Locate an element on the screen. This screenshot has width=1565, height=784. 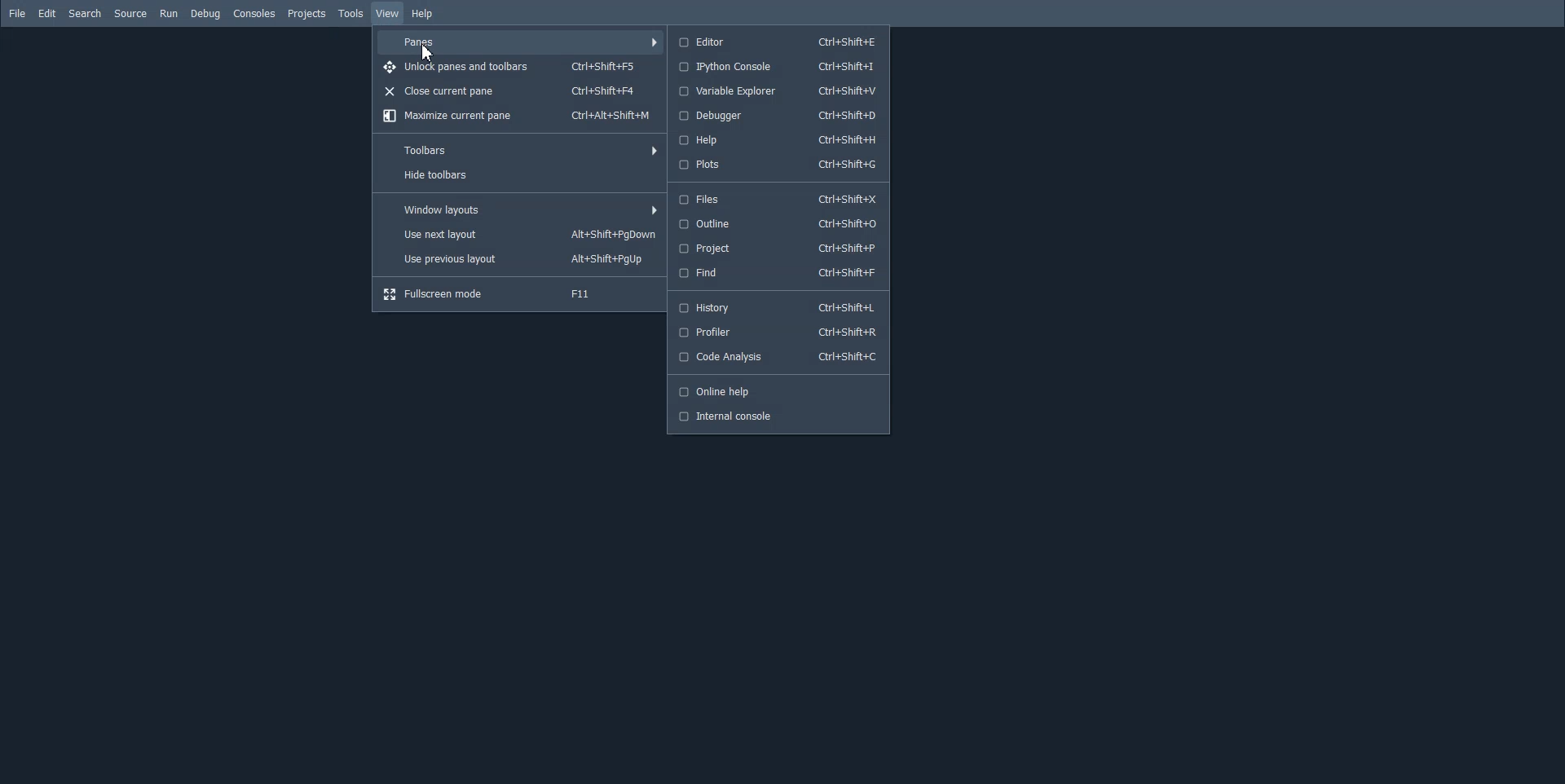
Files is located at coordinates (776, 200).